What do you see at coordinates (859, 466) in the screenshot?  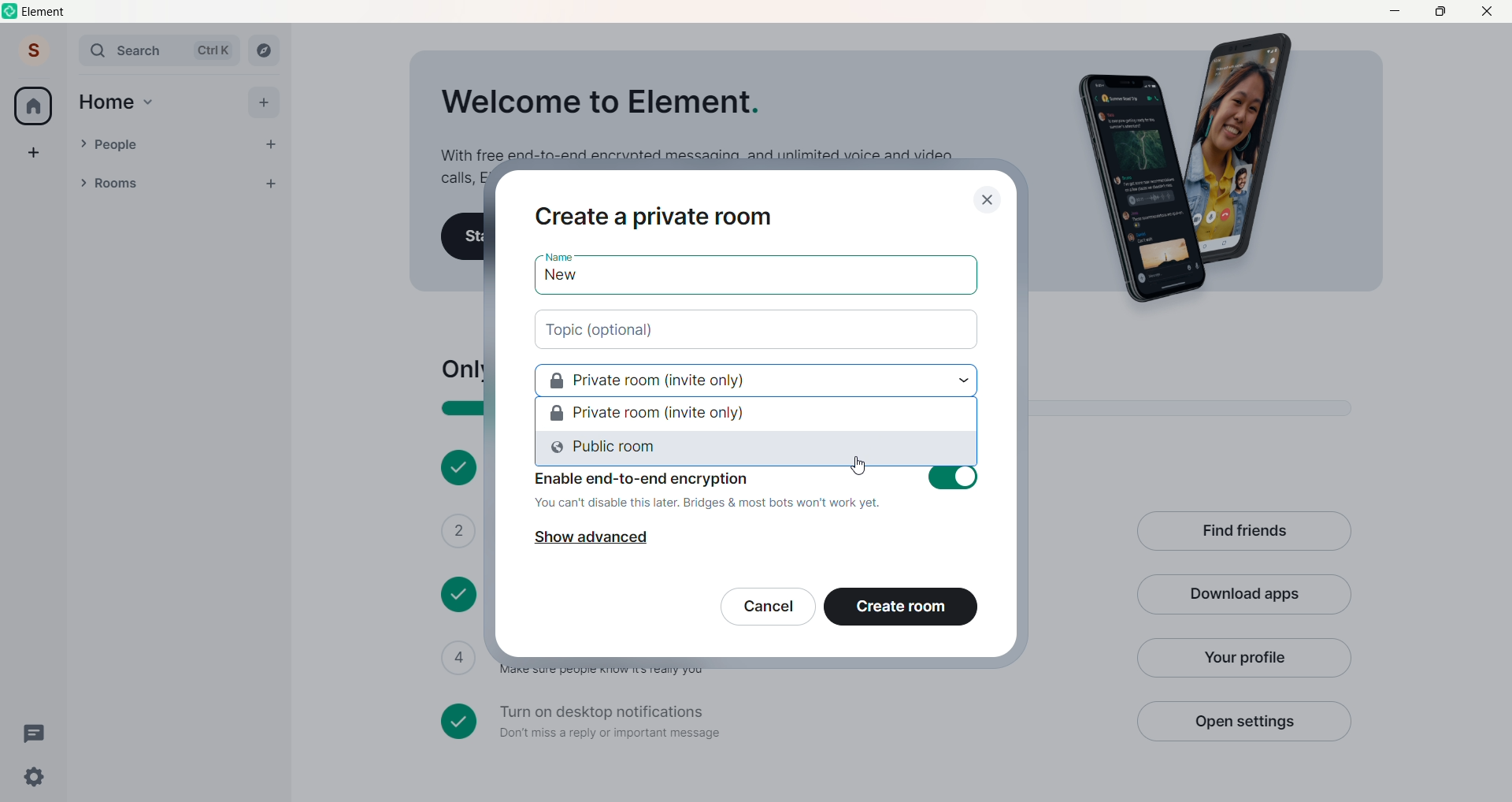 I see `Cursor` at bounding box center [859, 466].